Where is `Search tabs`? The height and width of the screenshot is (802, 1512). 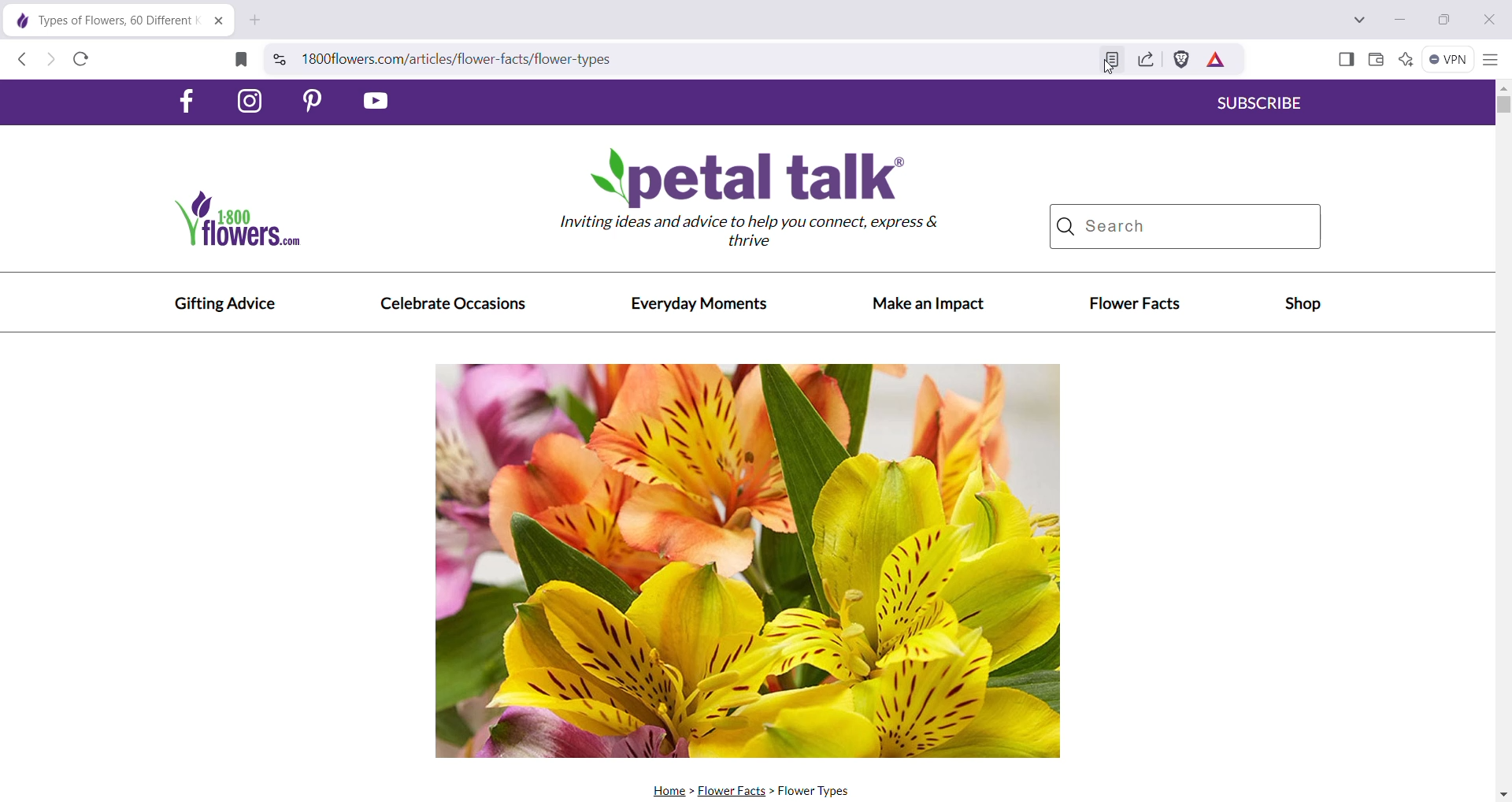
Search tabs is located at coordinates (1361, 20).